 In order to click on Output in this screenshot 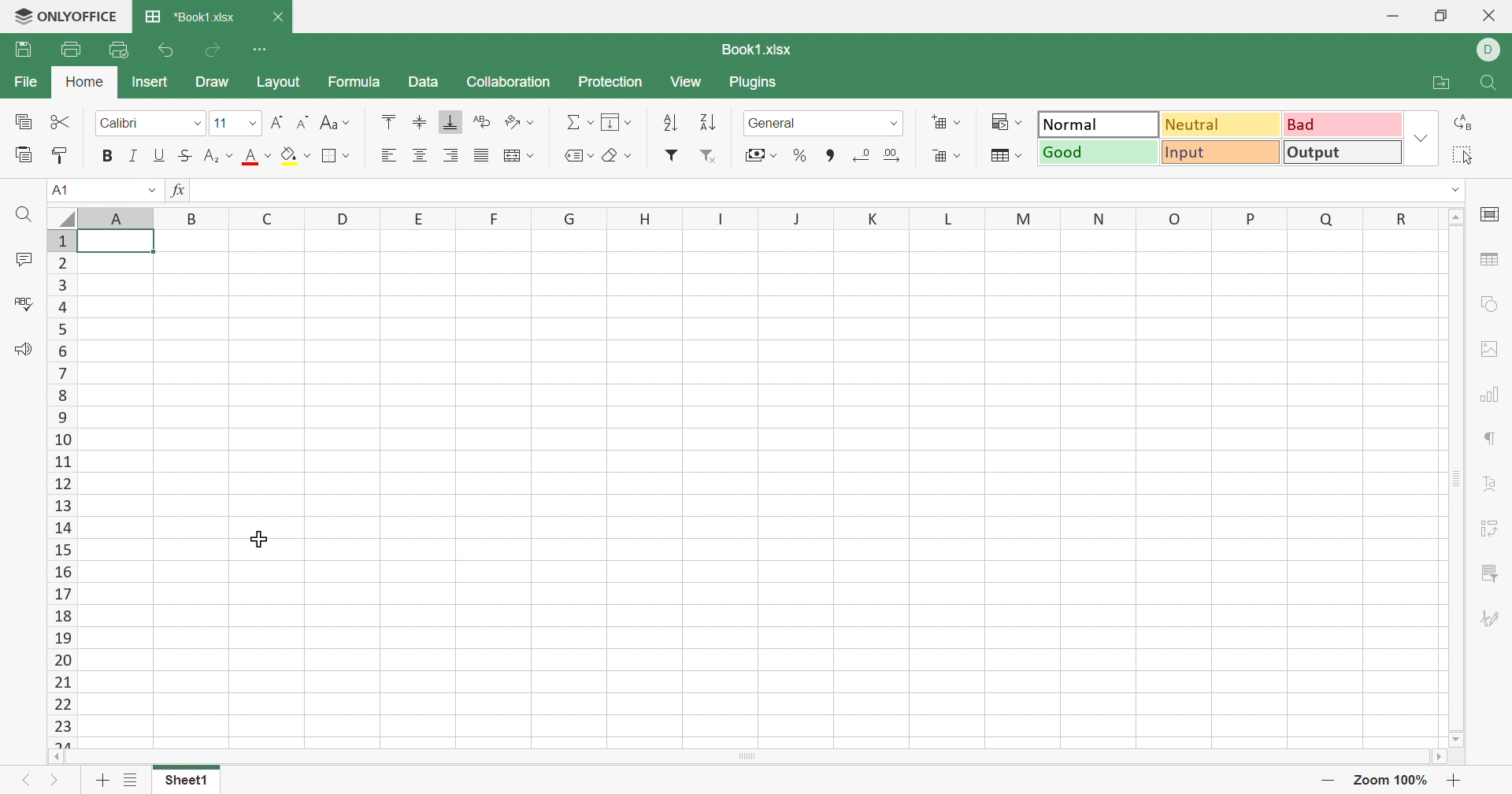, I will do `click(1341, 153)`.